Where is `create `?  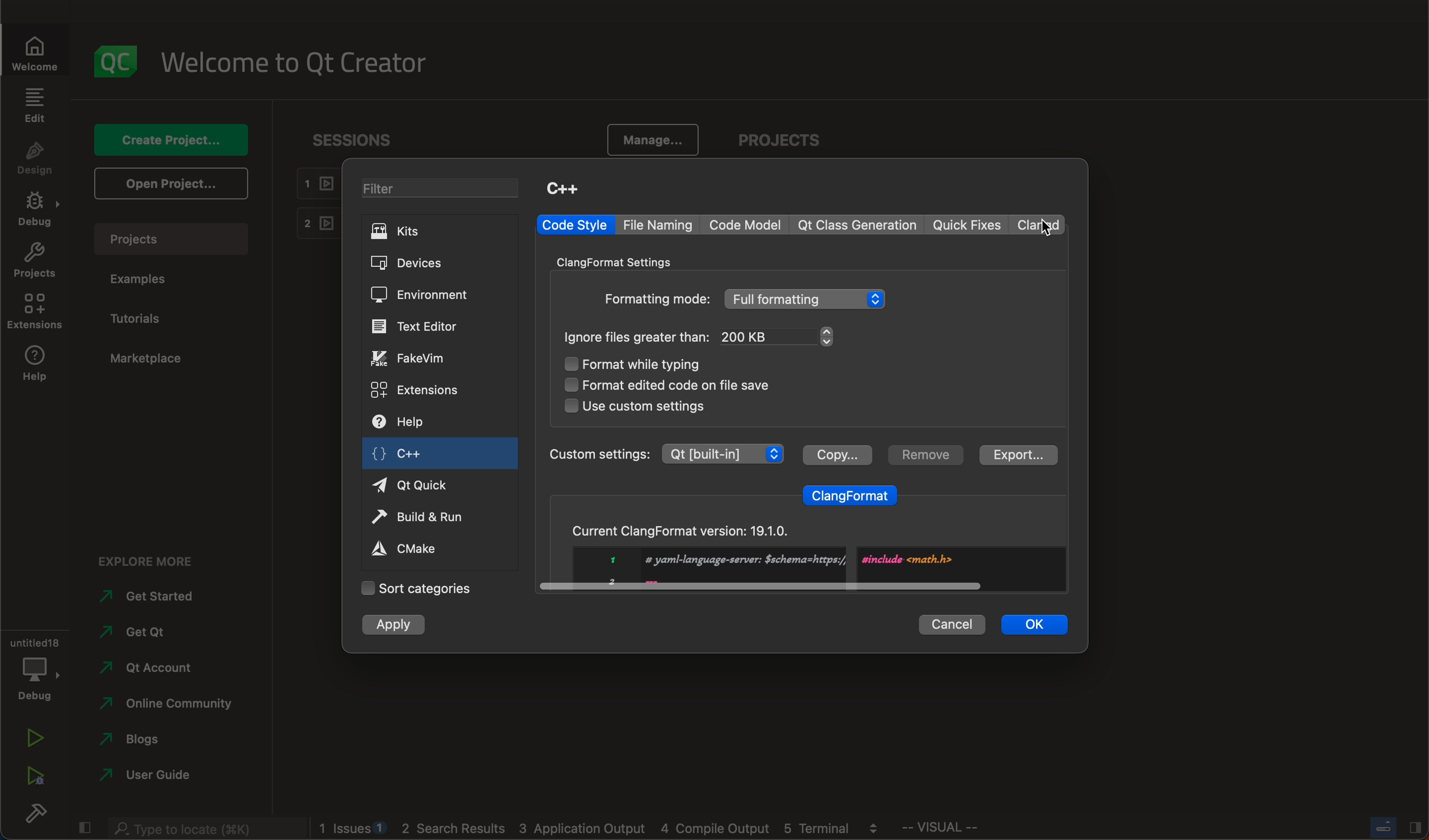
create  is located at coordinates (173, 141).